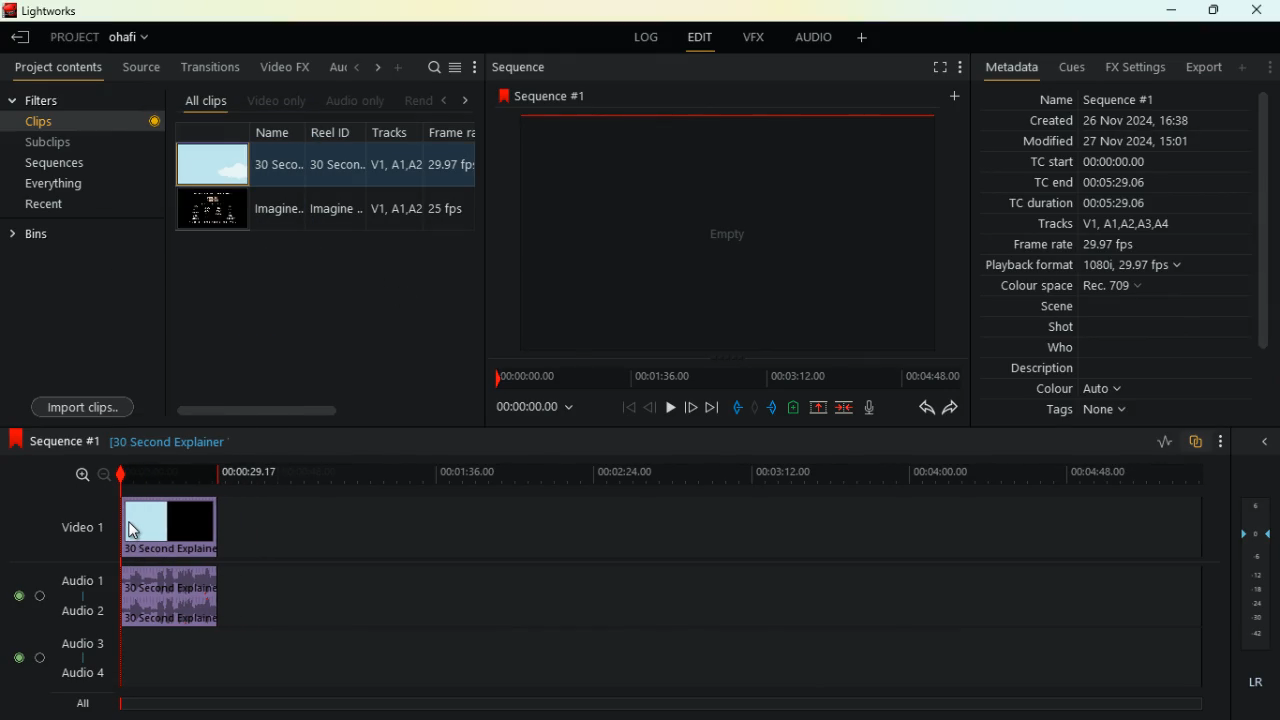 Image resolution: width=1280 pixels, height=720 pixels. Describe the element at coordinates (140, 533) in the screenshot. I see `Mouse Cursor` at that location.